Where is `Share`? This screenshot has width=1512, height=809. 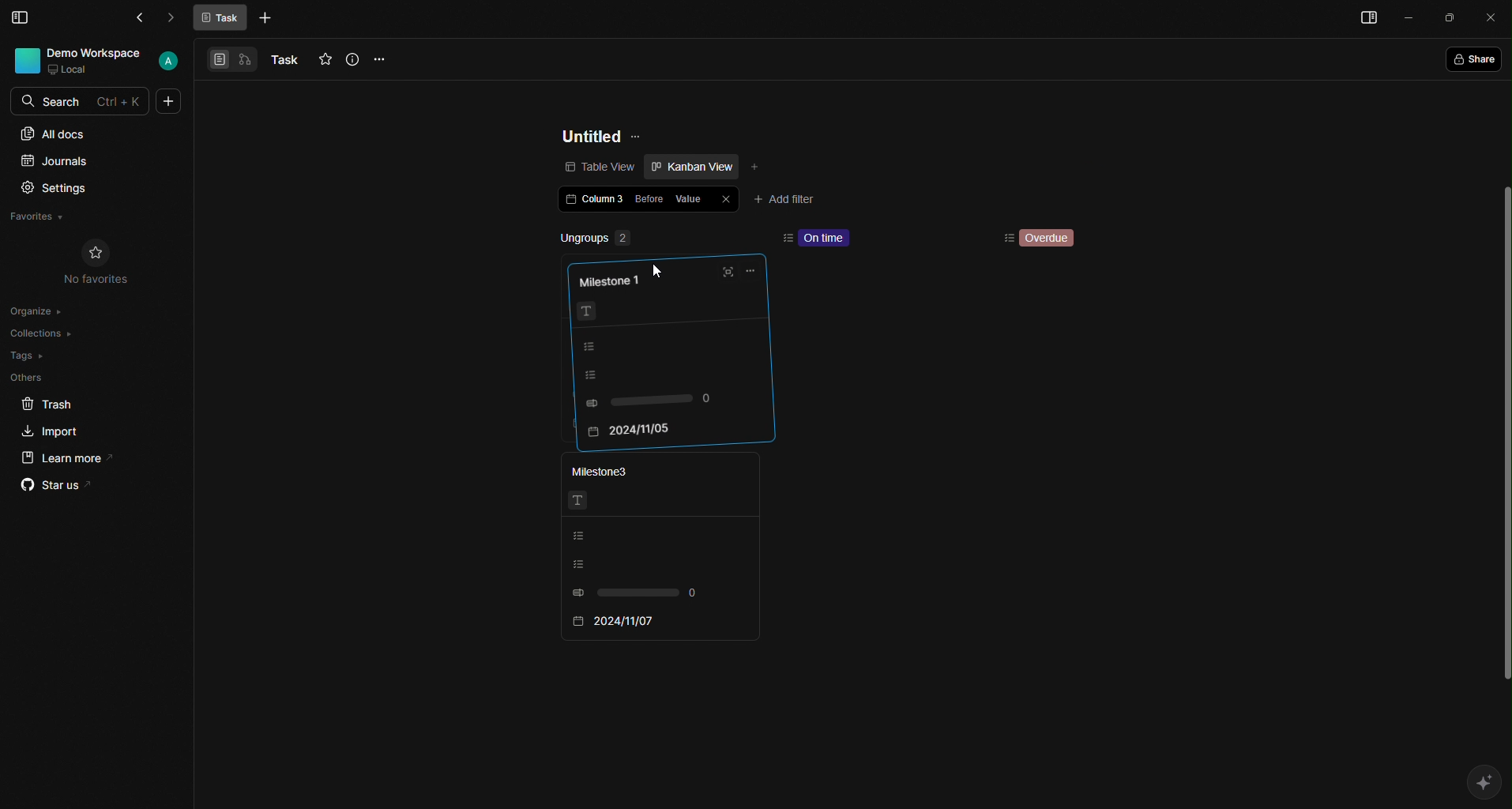 Share is located at coordinates (1475, 59).